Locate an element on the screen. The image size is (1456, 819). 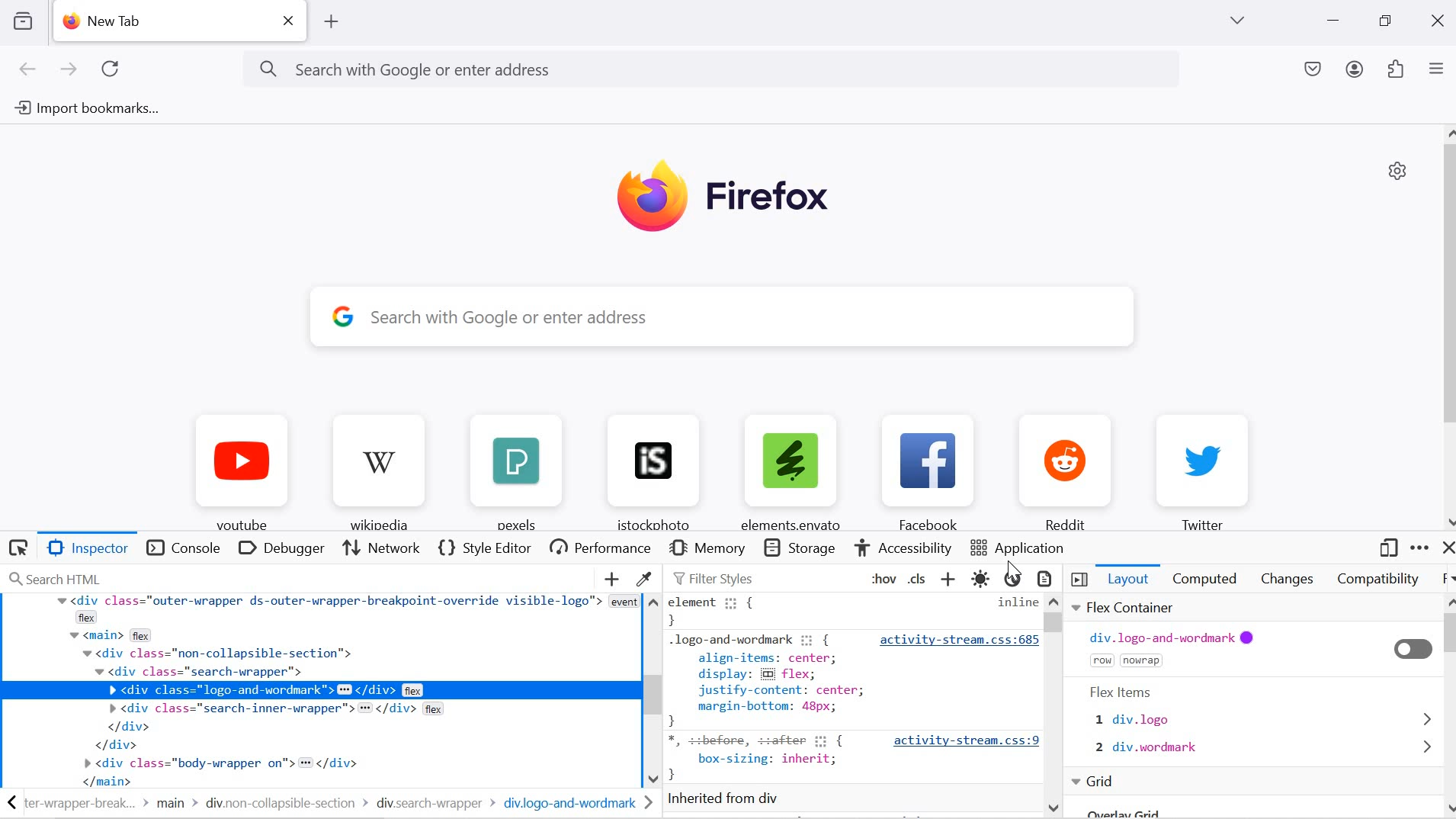
style editor is located at coordinates (483, 548).